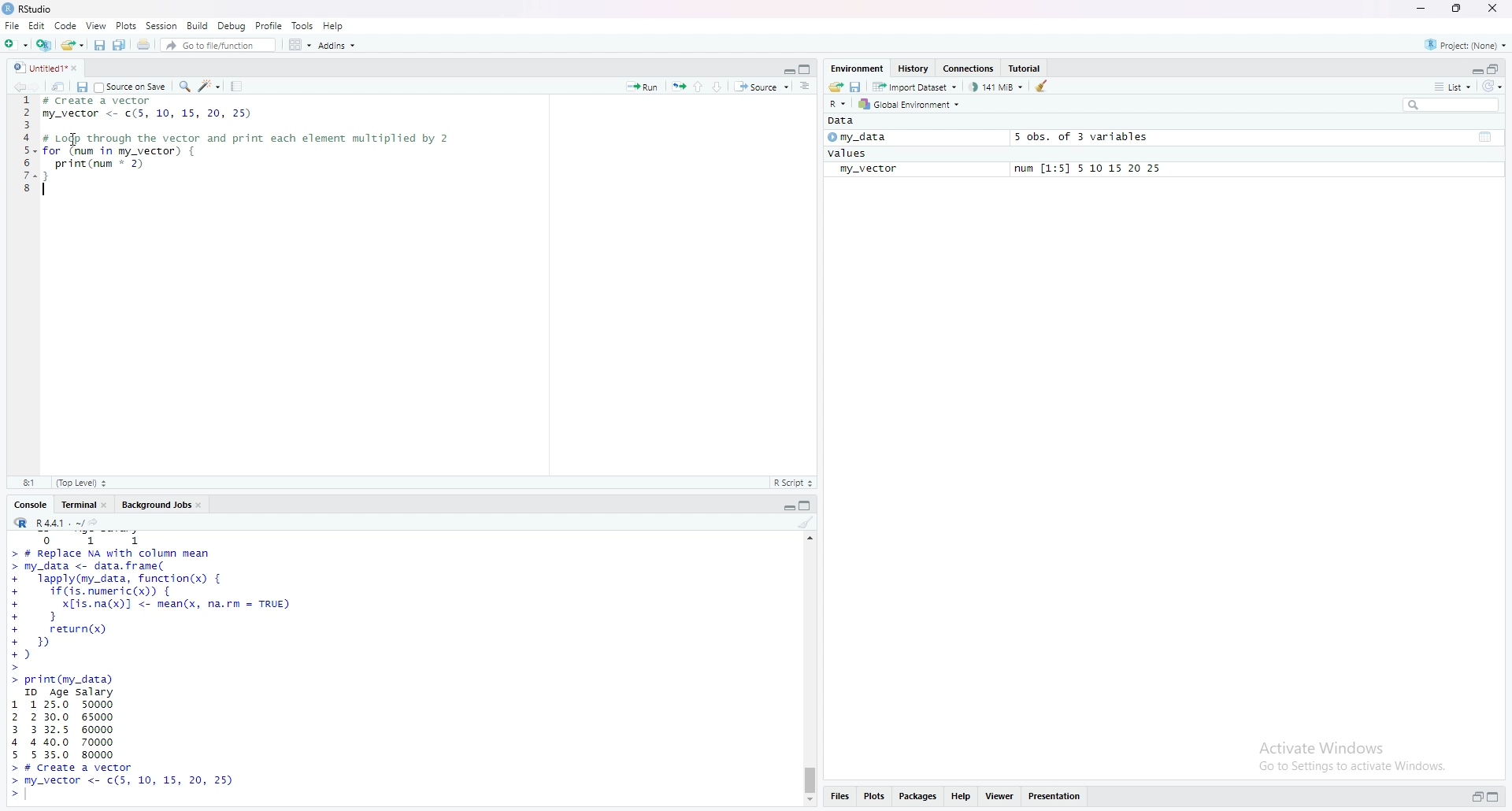 The image size is (1512, 811). What do you see at coordinates (764, 87) in the screenshot?
I see `source the content of active document` at bounding box center [764, 87].